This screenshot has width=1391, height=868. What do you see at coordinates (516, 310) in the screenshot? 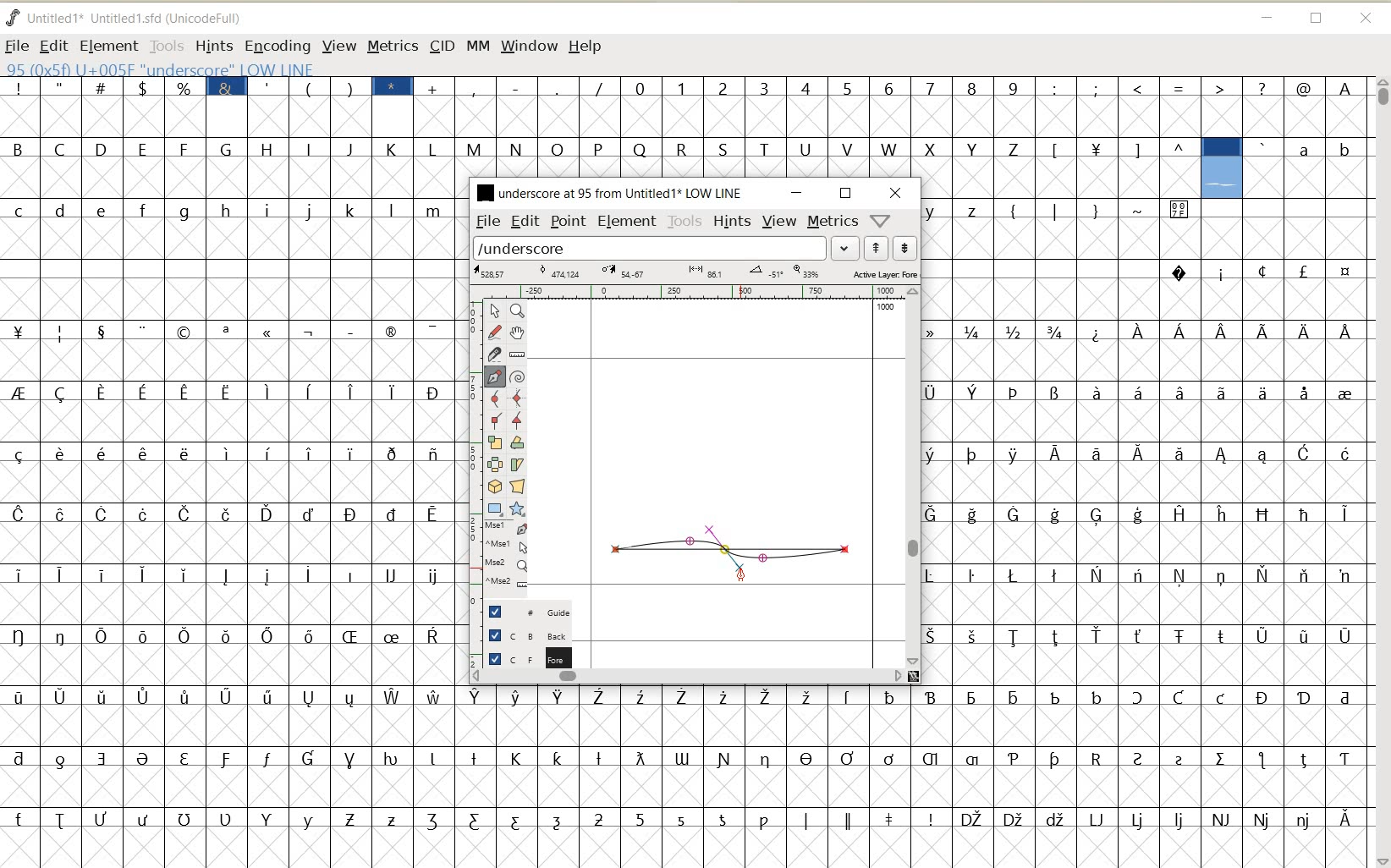
I see `Magnify` at bounding box center [516, 310].